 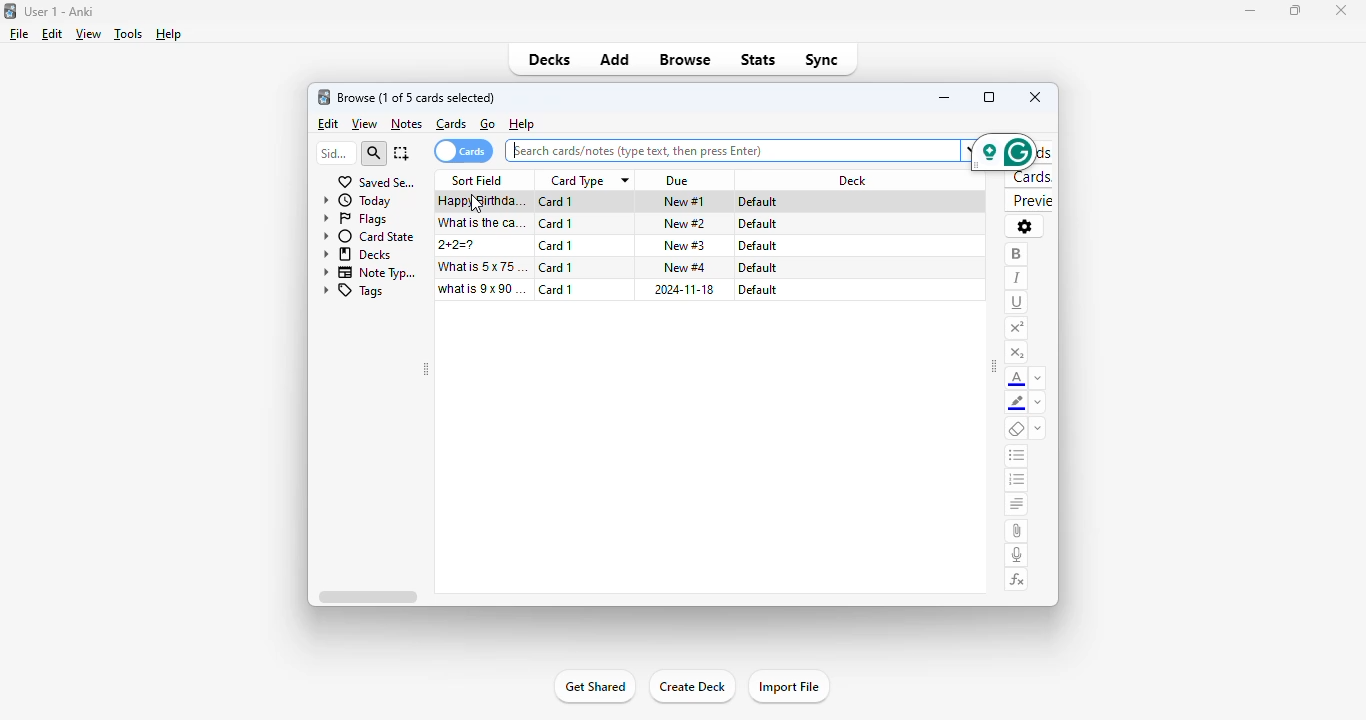 I want to click on decks, so click(x=549, y=59).